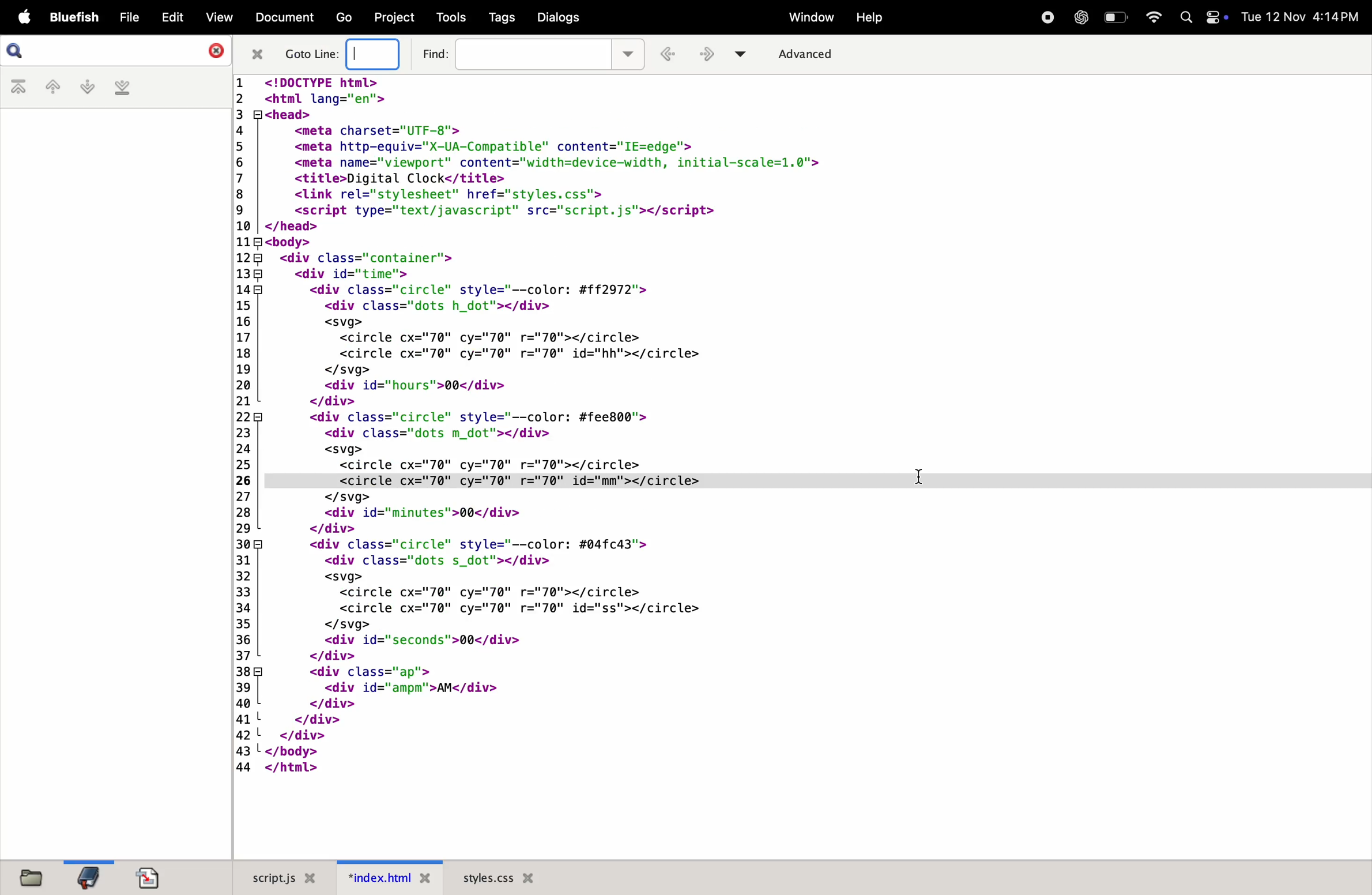 Image resolution: width=1372 pixels, height=895 pixels. Describe the element at coordinates (499, 18) in the screenshot. I see `tags` at that location.